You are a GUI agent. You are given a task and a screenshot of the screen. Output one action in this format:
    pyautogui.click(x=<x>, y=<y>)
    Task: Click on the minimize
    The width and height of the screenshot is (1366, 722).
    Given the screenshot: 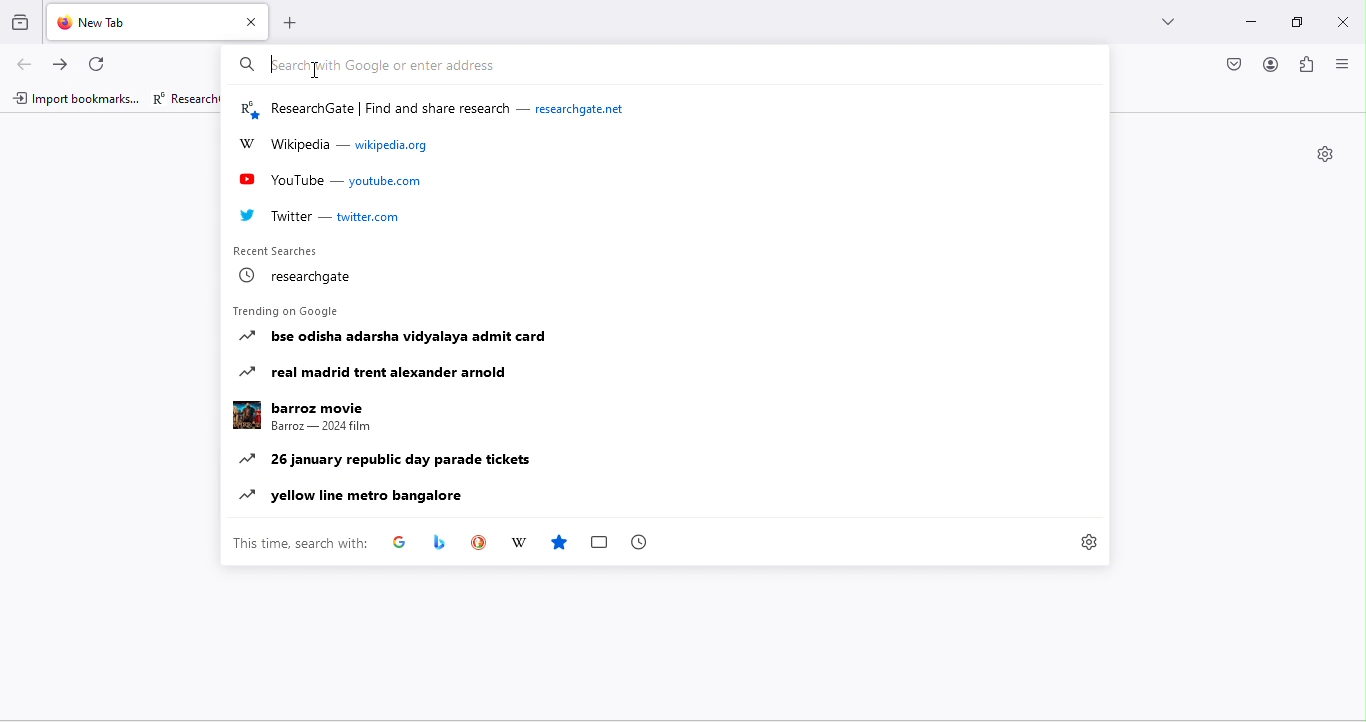 What is the action you would take?
    pyautogui.click(x=1252, y=22)
    